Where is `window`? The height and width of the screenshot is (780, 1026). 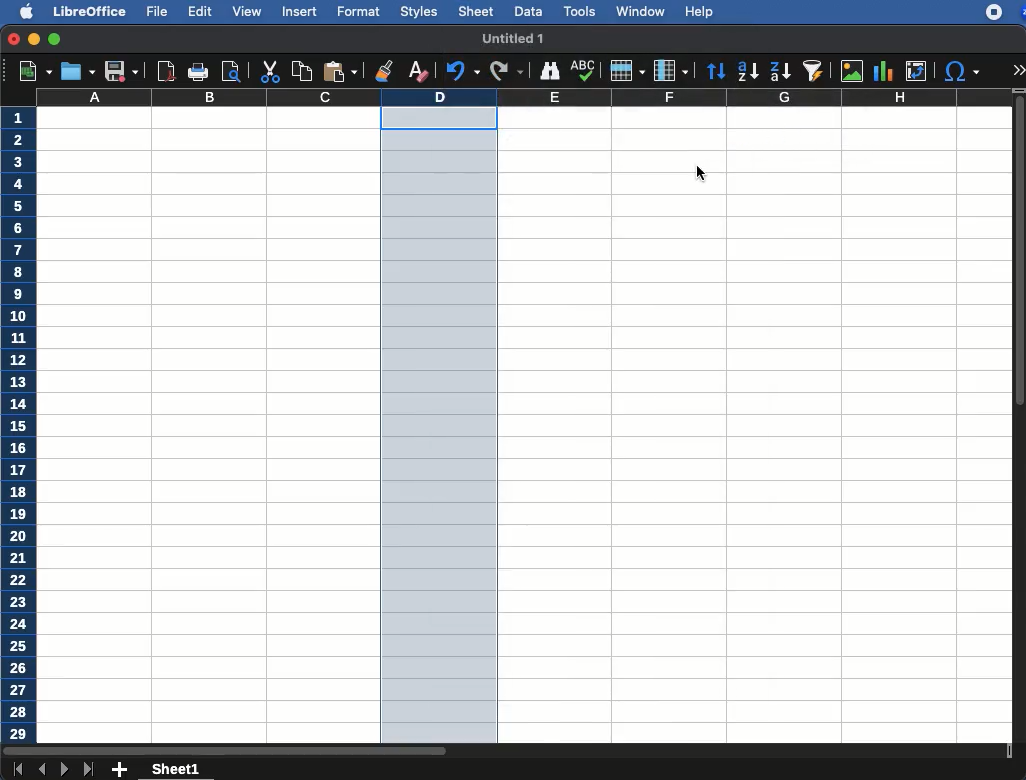
window is located at coordinates (639, 11).